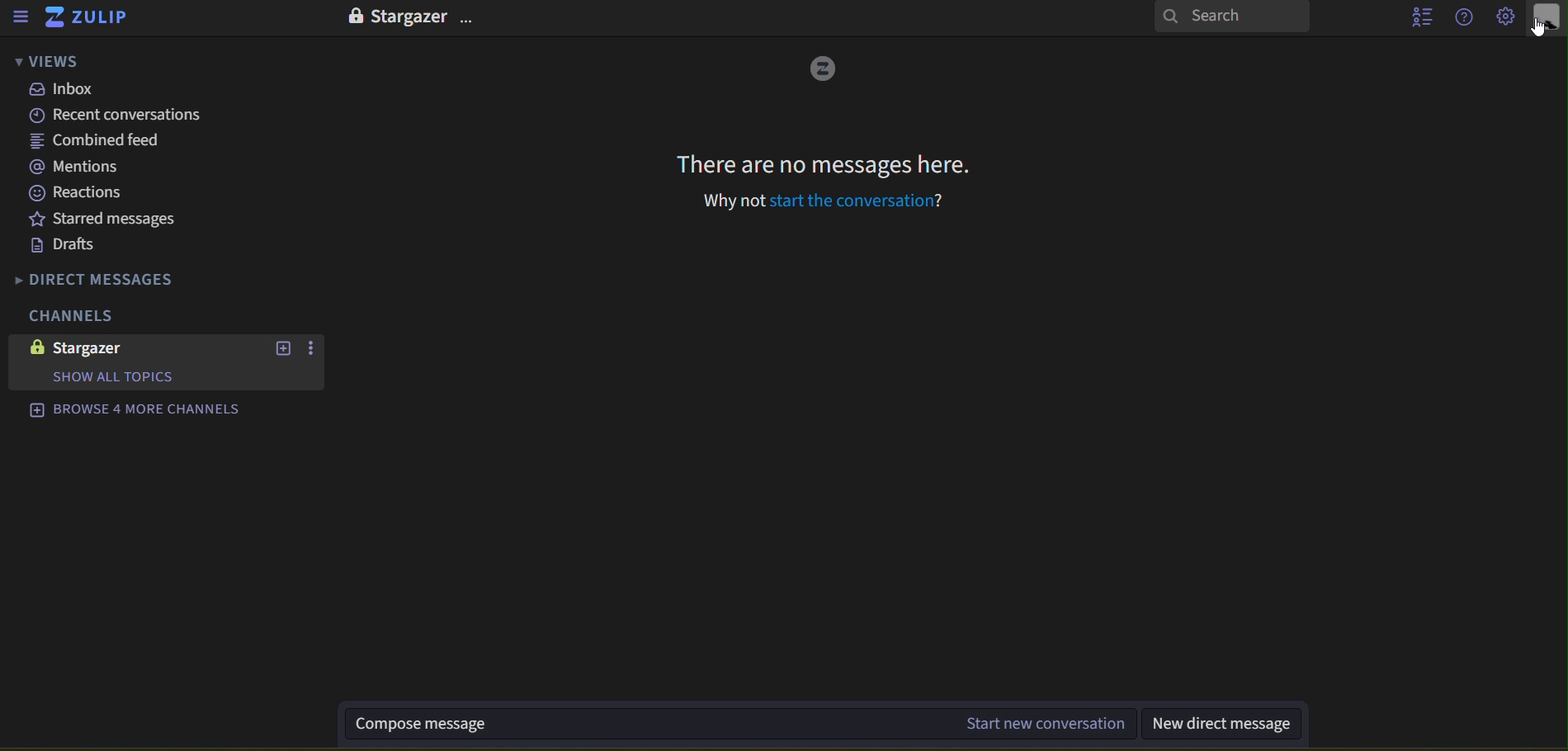 Image resolution: width=1568 pixels, height=751 pixels. I want to click on browse 4 more channels, so click(134, 410).